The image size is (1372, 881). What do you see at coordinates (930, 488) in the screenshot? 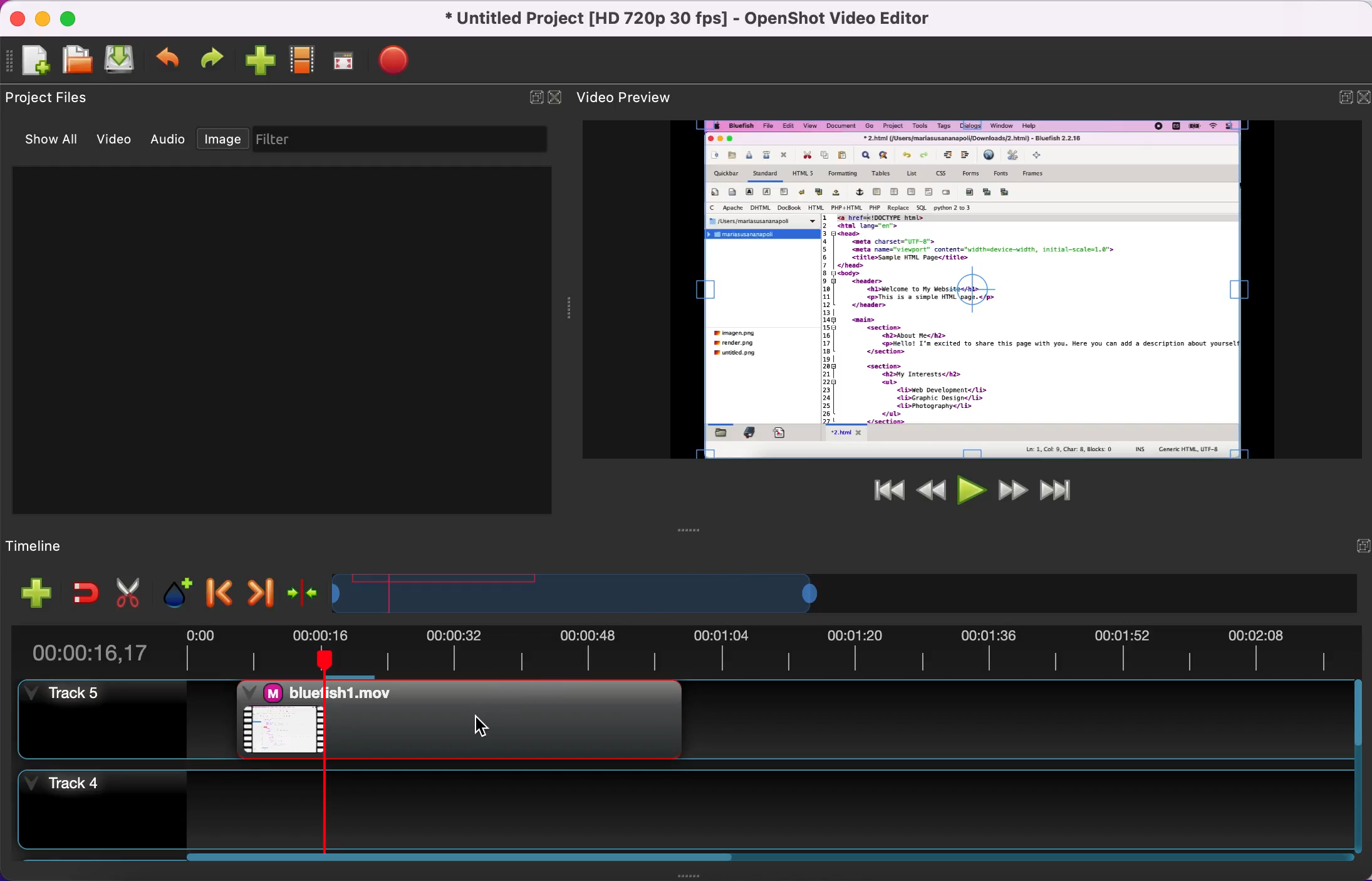
I see `rewind` at bounding box center [930, 488].